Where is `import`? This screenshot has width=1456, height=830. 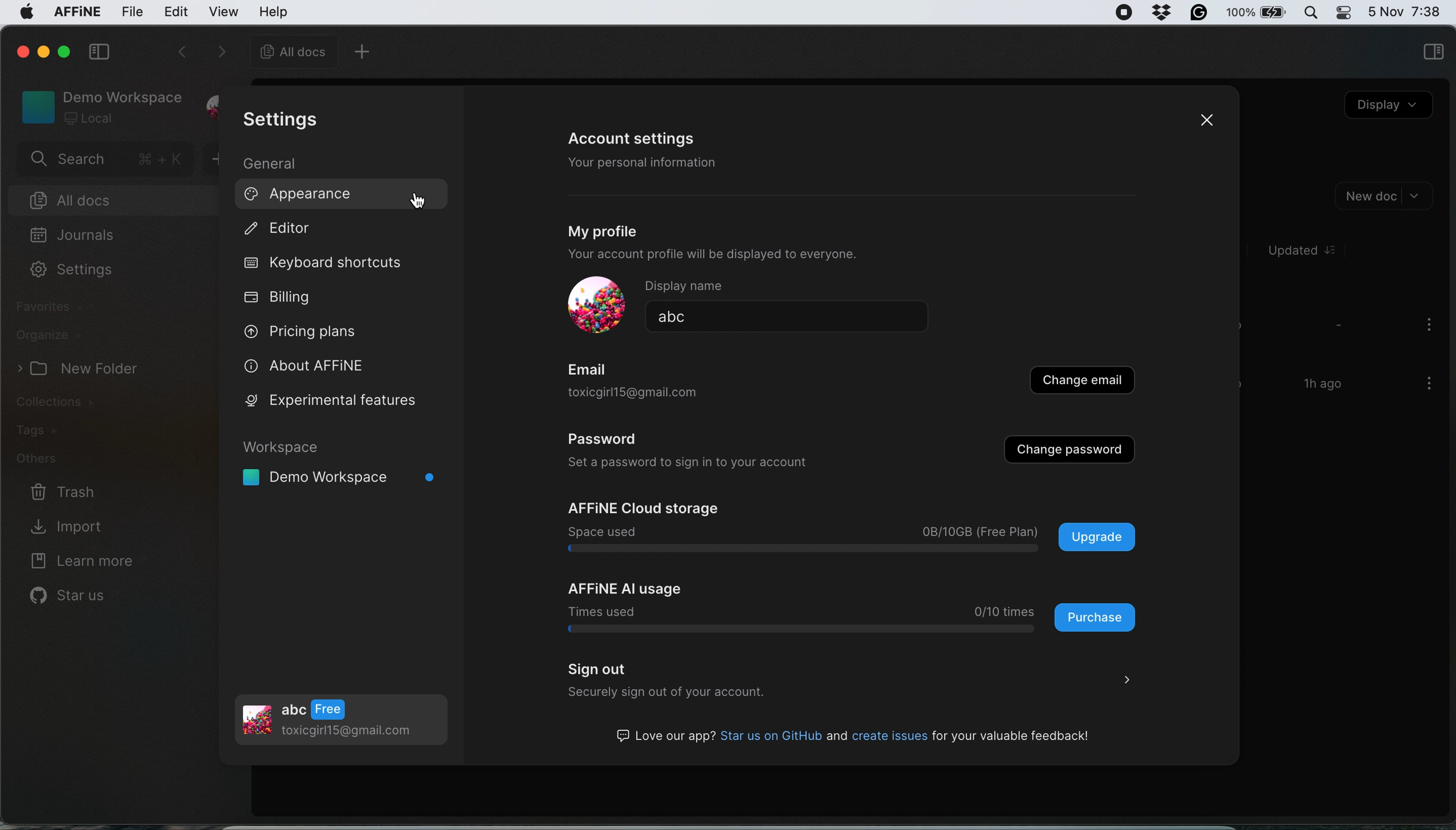
import is located at coordinates (82, 526).